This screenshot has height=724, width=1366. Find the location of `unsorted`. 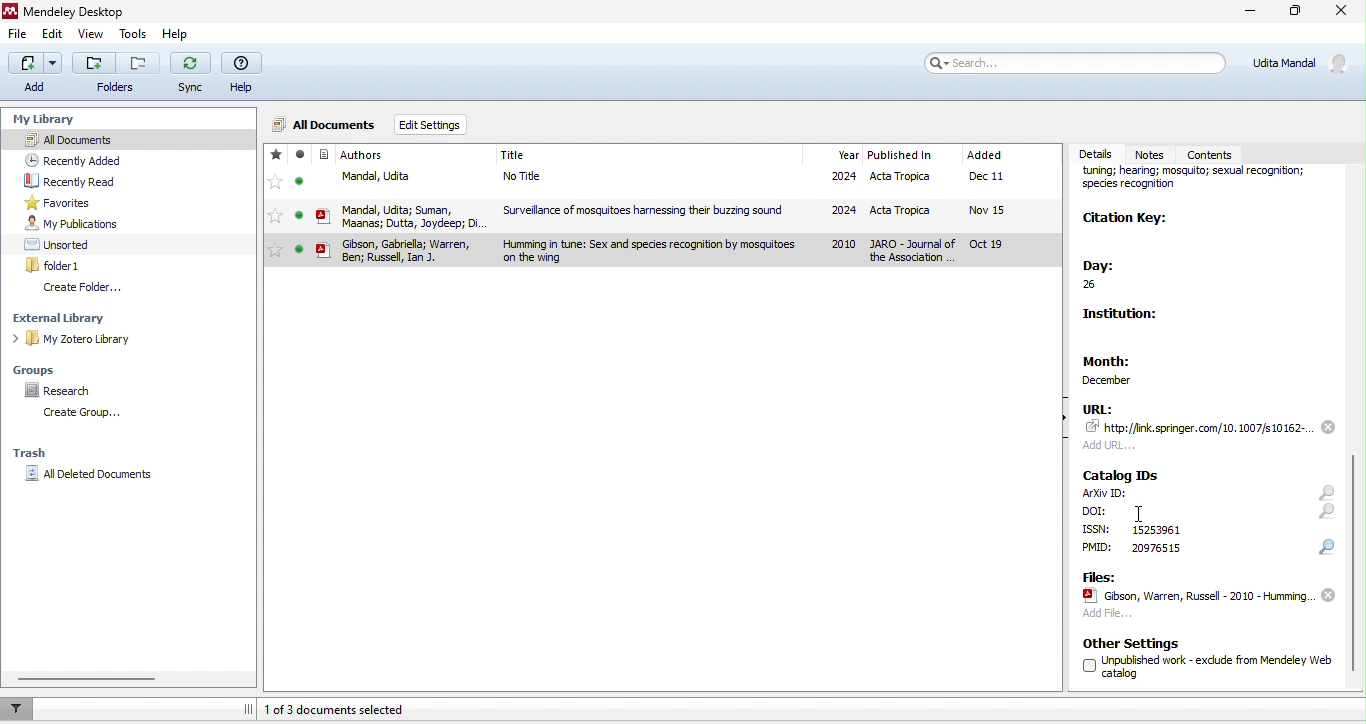

unsorted is located at coordinates (60, 244).